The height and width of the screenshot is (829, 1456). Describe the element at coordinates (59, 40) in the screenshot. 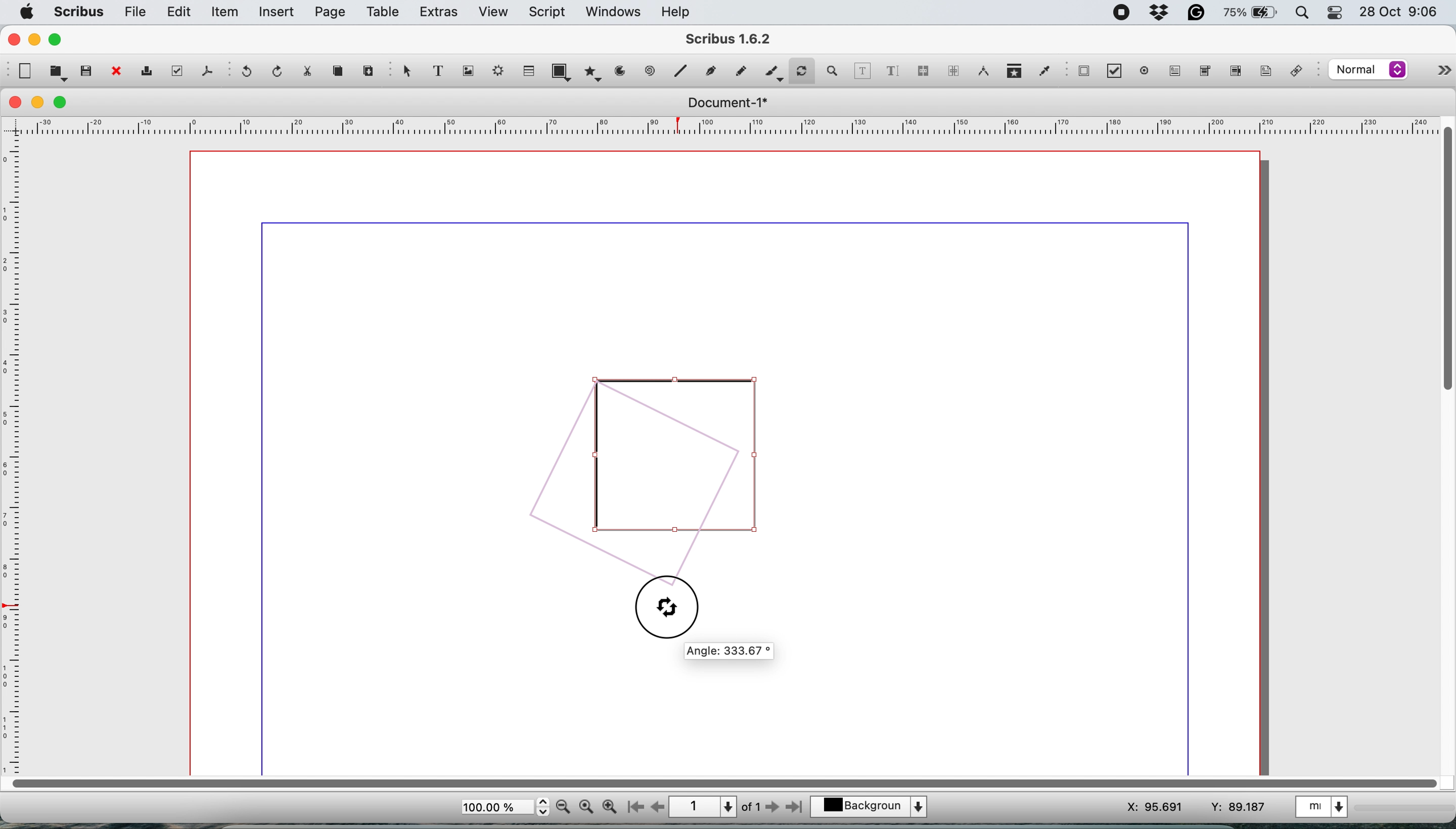

I see `maximise` at that location.